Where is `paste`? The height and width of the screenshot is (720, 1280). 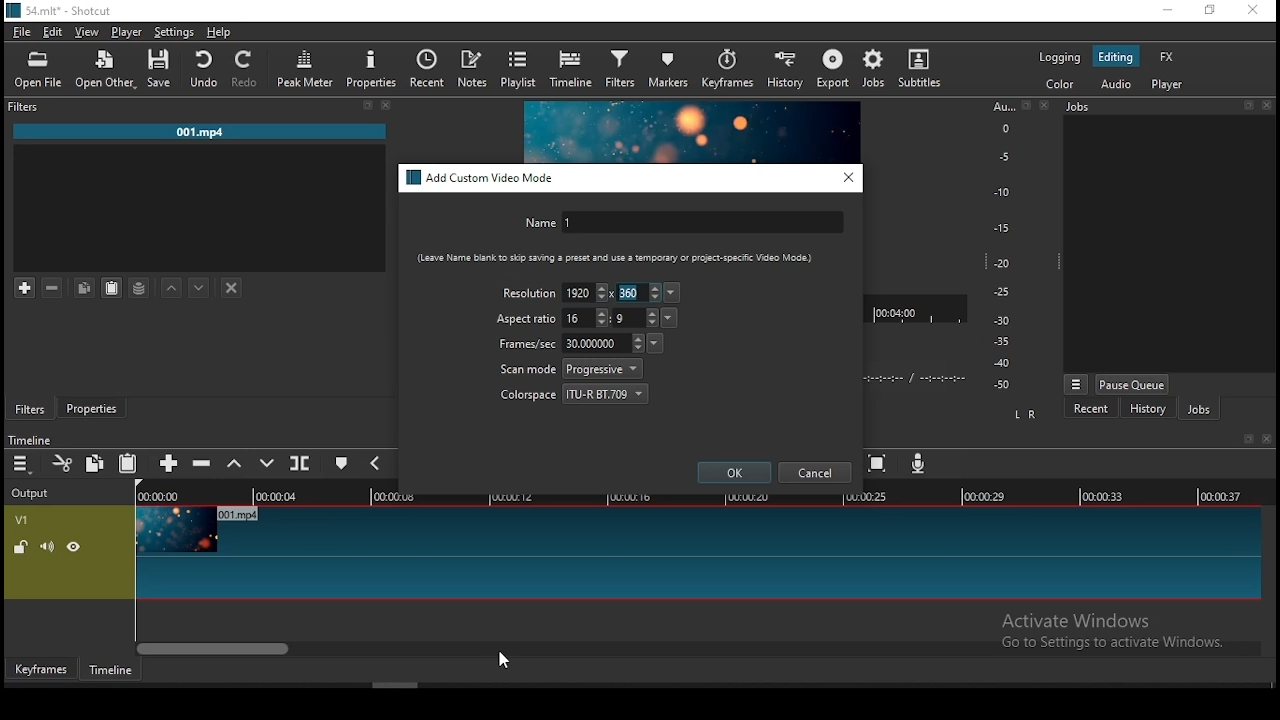 paste is located at coordinates (112, 288).